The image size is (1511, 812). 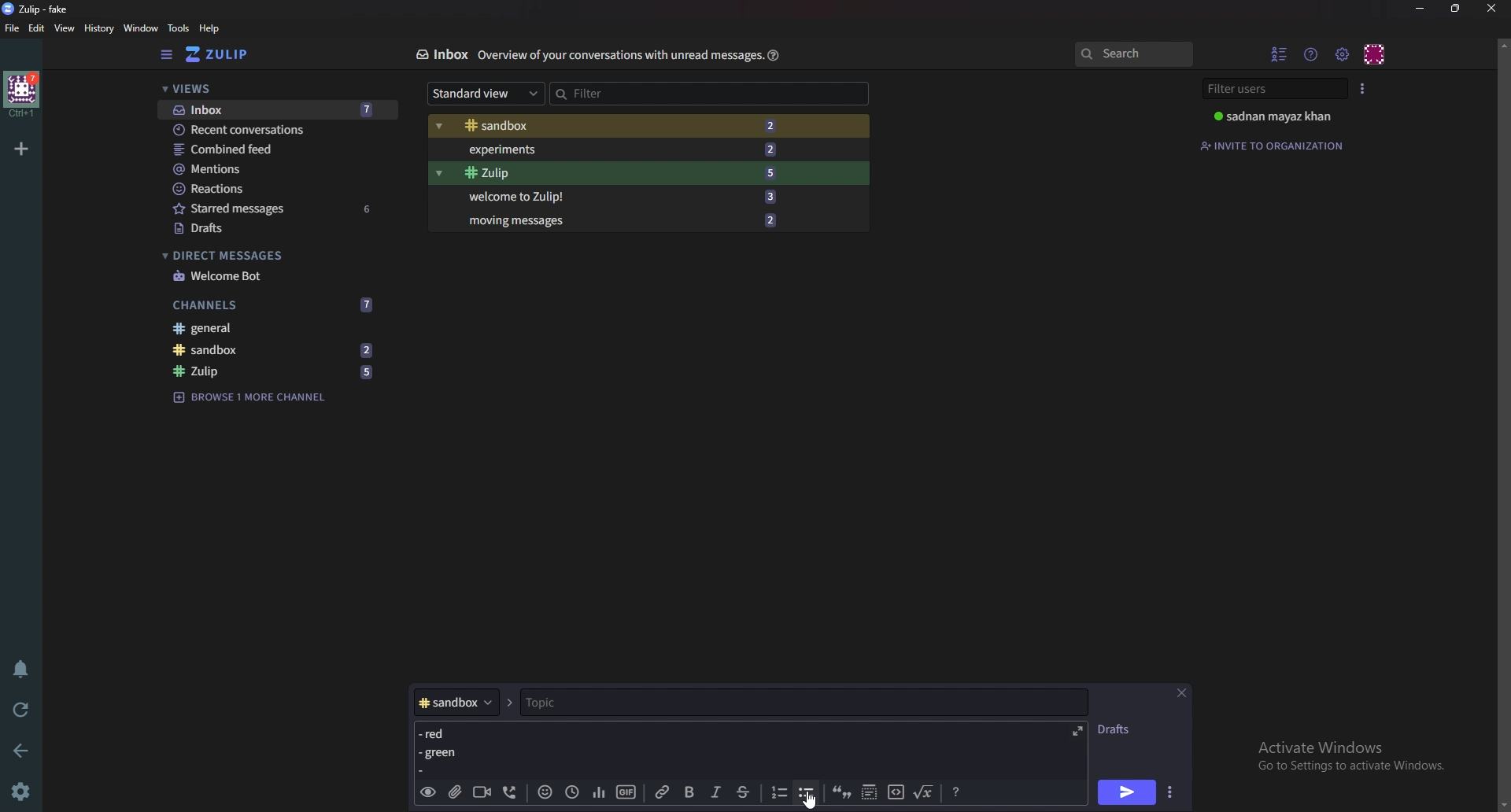 I want to click on help, so click(x=210, y=28).